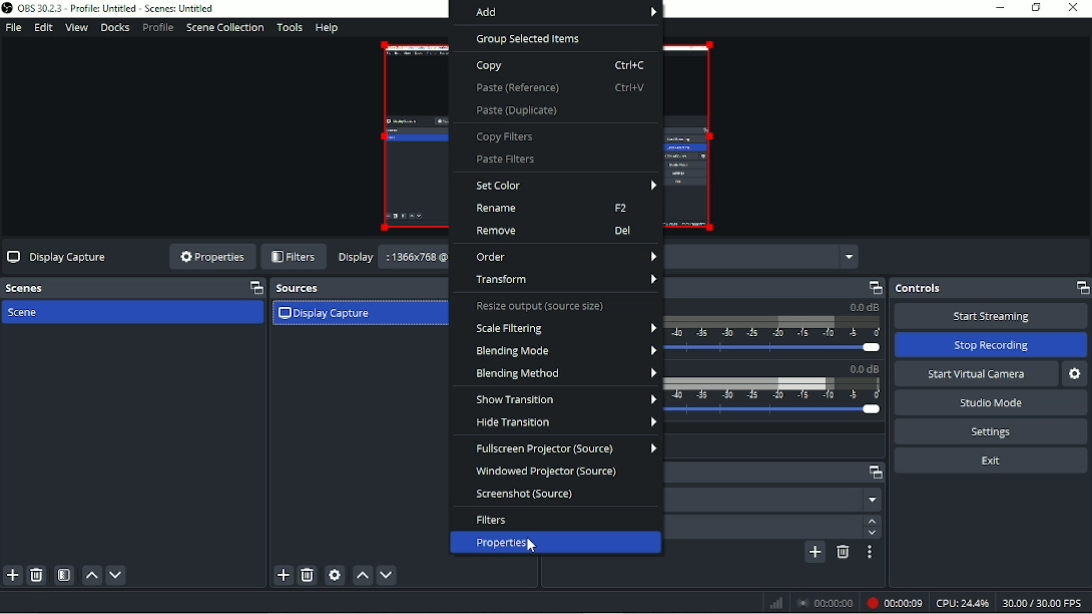 This screenshot has width=1092, height=614. What do you see at coordinates (564, 449) in the screenshot?
I see `Fullscreen Projector` at bounding box center [564, 449].